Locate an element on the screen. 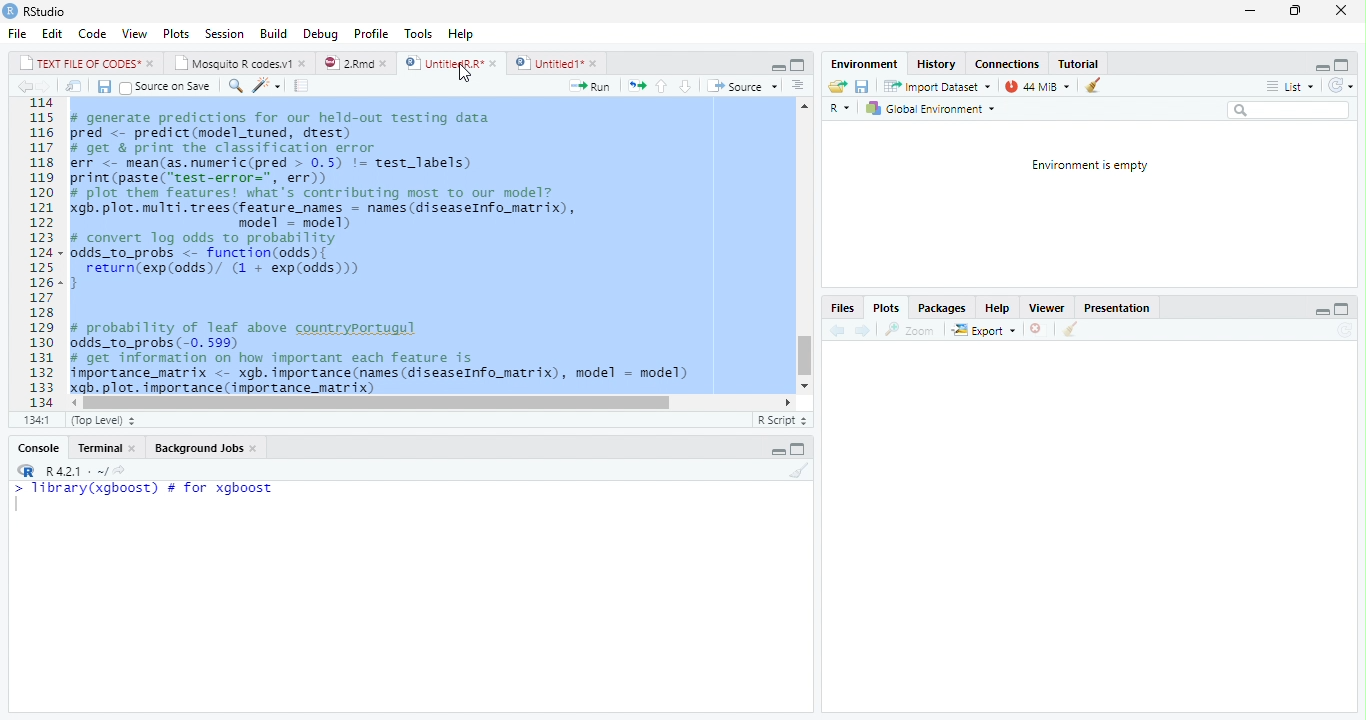 The height and width of the screenshot is (720, 1366). File is located at coordinates (16, 33).